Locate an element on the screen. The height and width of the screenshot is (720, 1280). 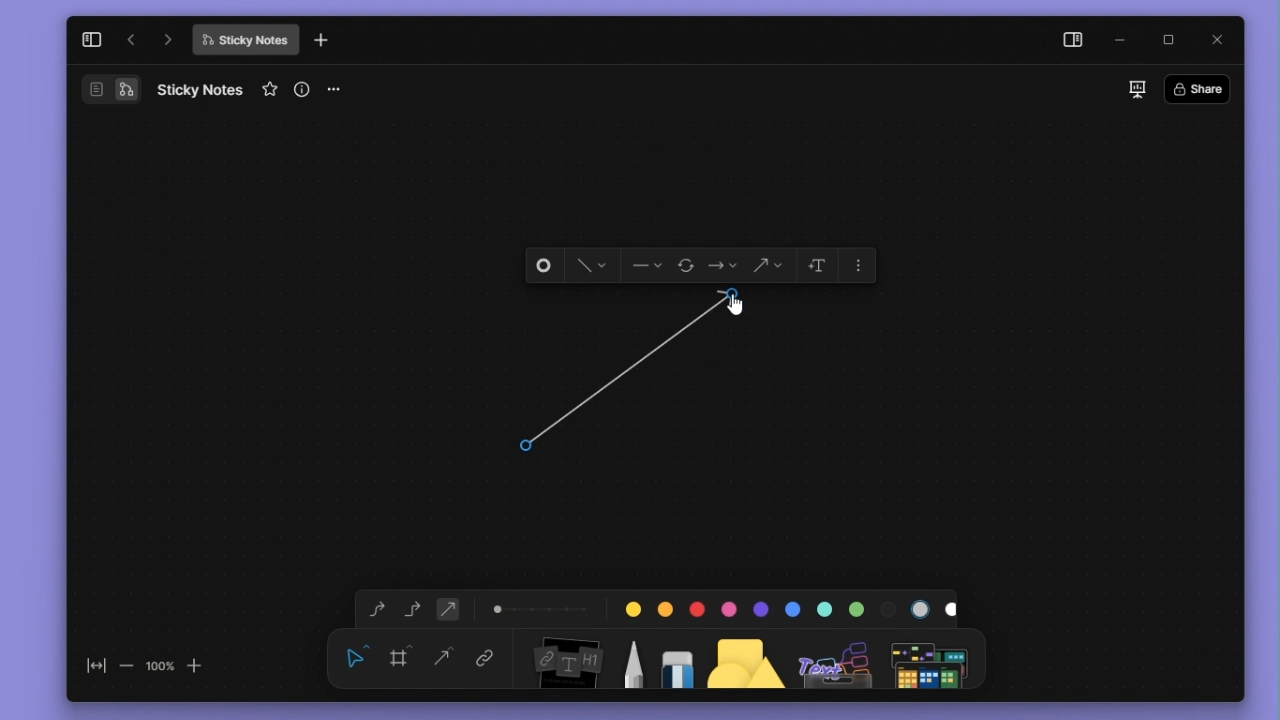
go back is located at coordinates (131, 40).